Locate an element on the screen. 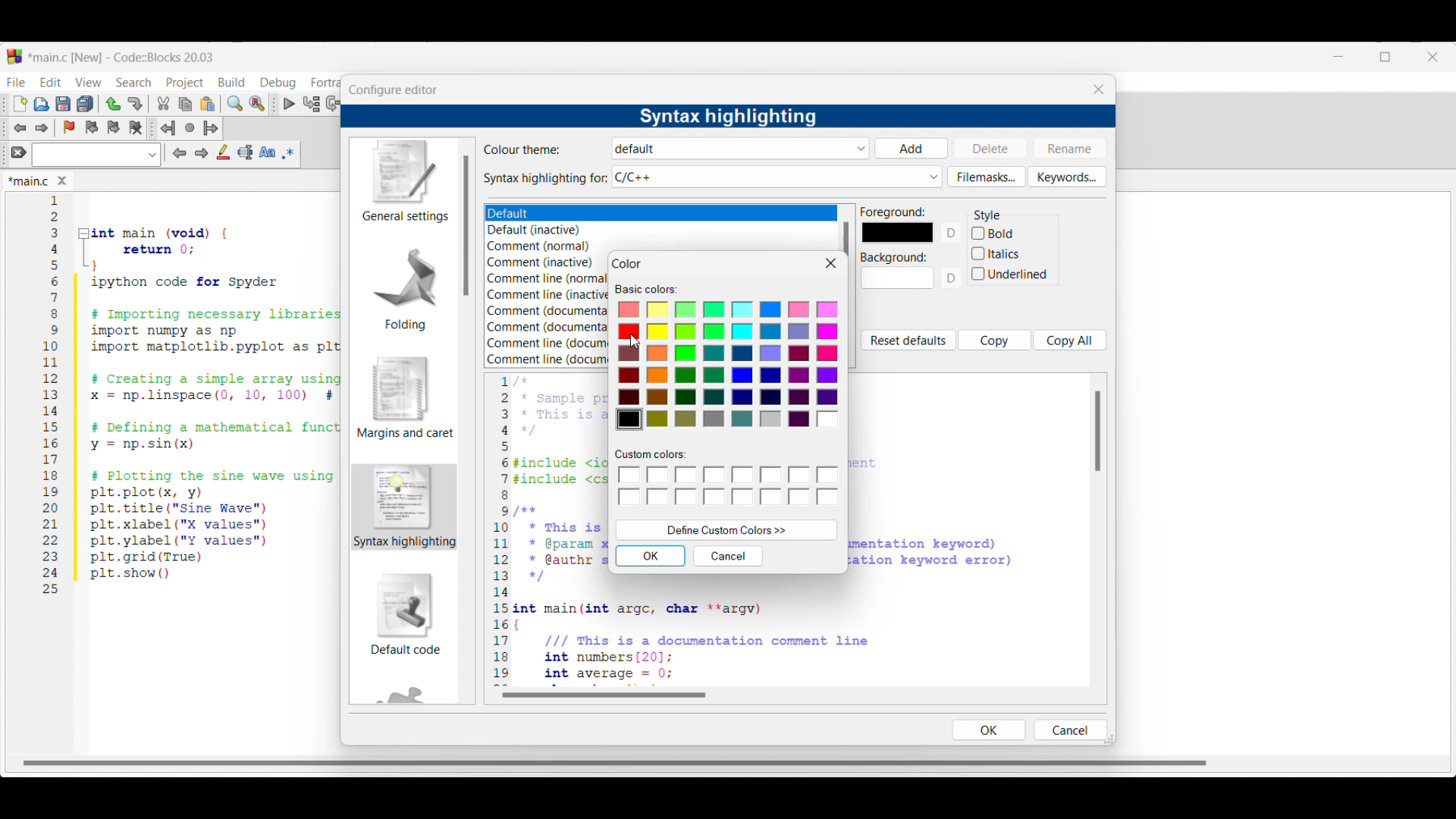  Current code is located at coordinates (193, 395).